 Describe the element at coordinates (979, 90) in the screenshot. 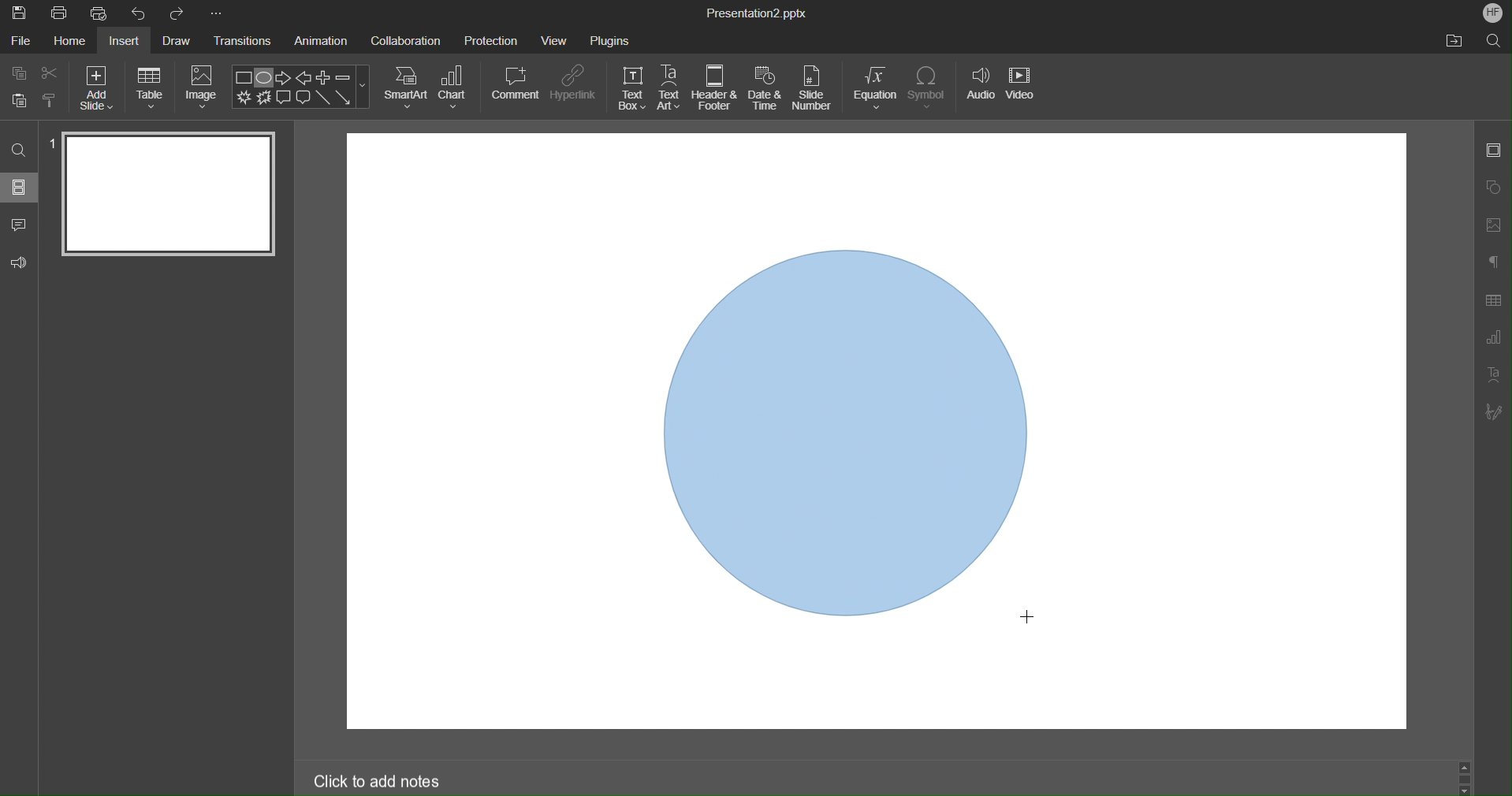

I see `Audio` at that location.